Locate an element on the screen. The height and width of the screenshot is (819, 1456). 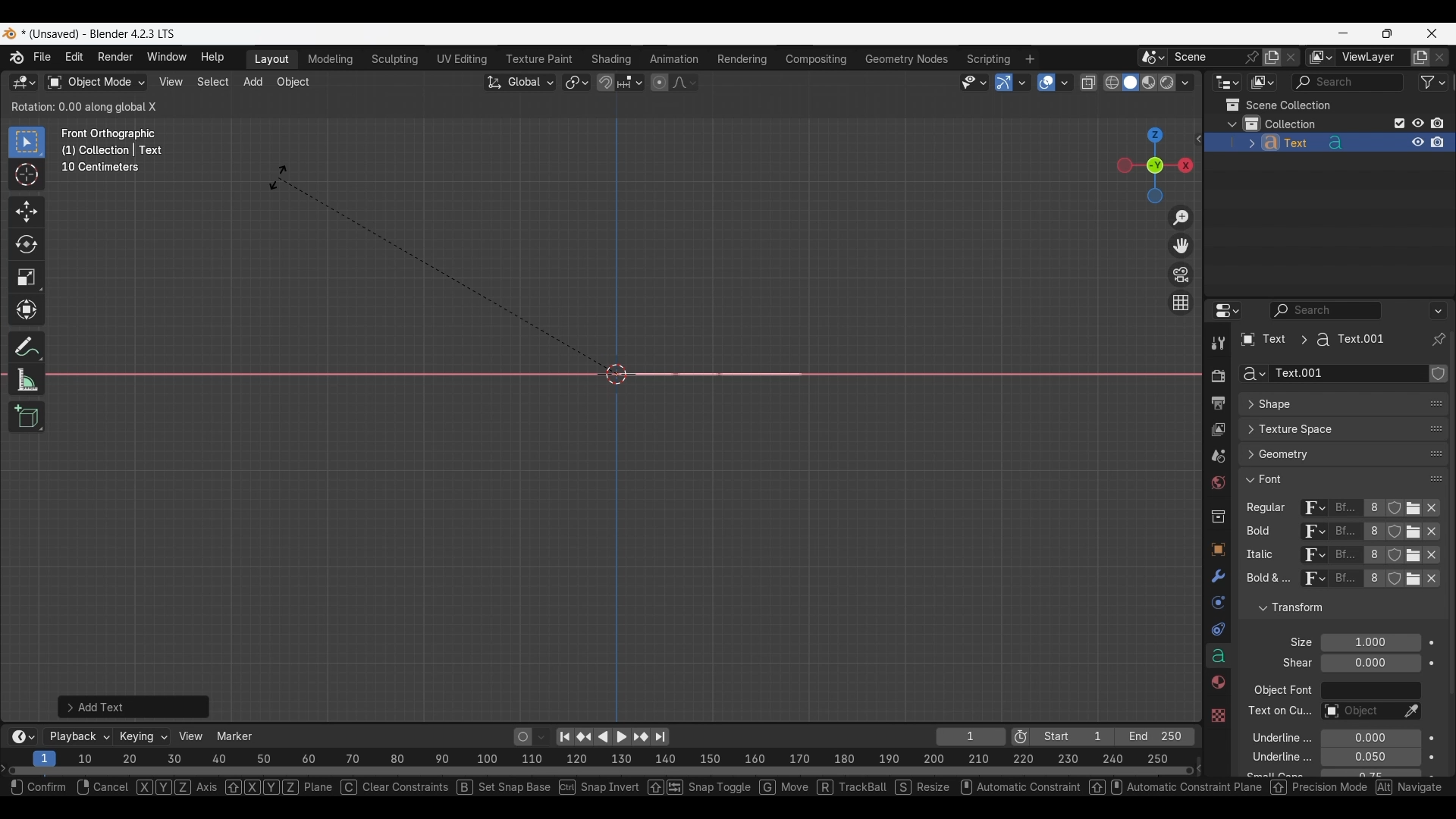
text is located at coordinates (1266, 580).